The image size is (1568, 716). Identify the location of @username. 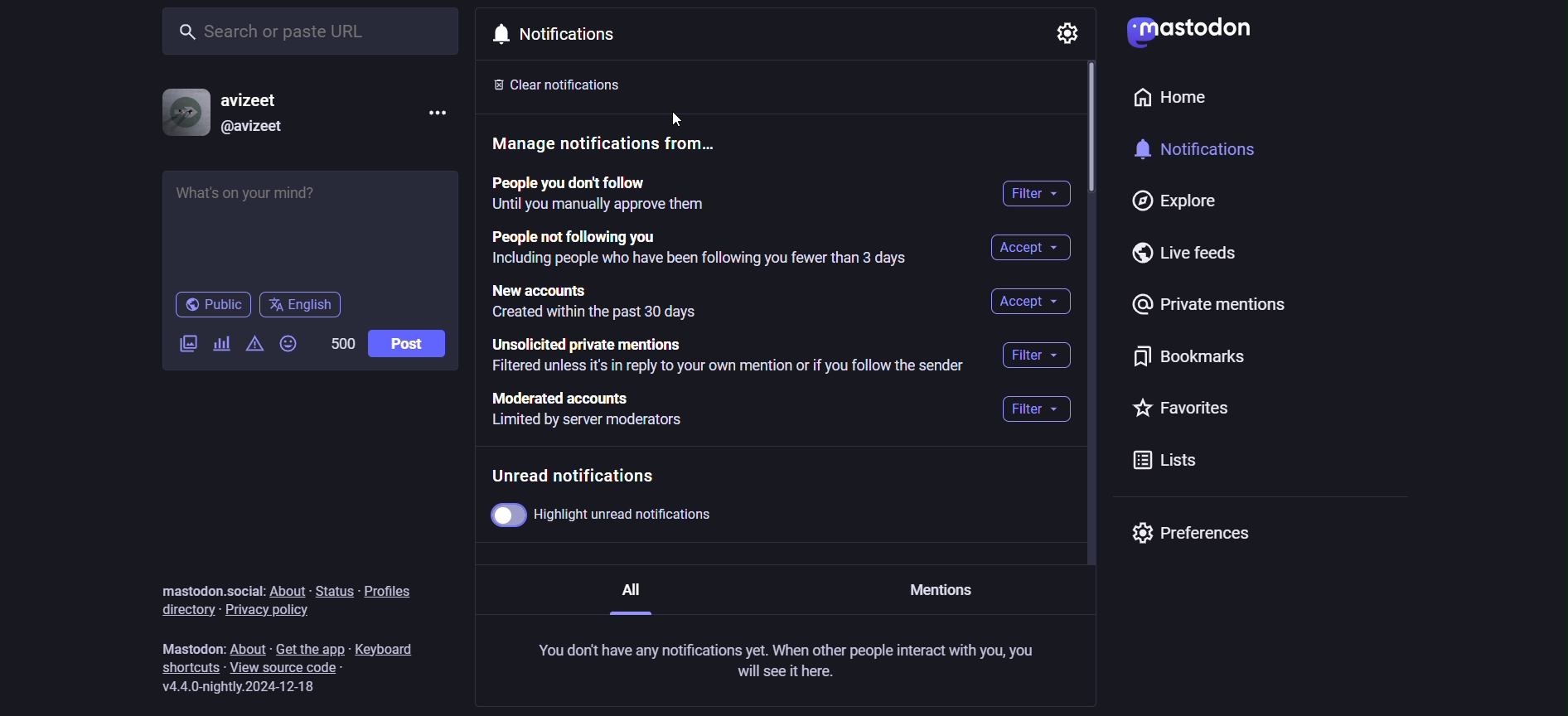
(254, 126).